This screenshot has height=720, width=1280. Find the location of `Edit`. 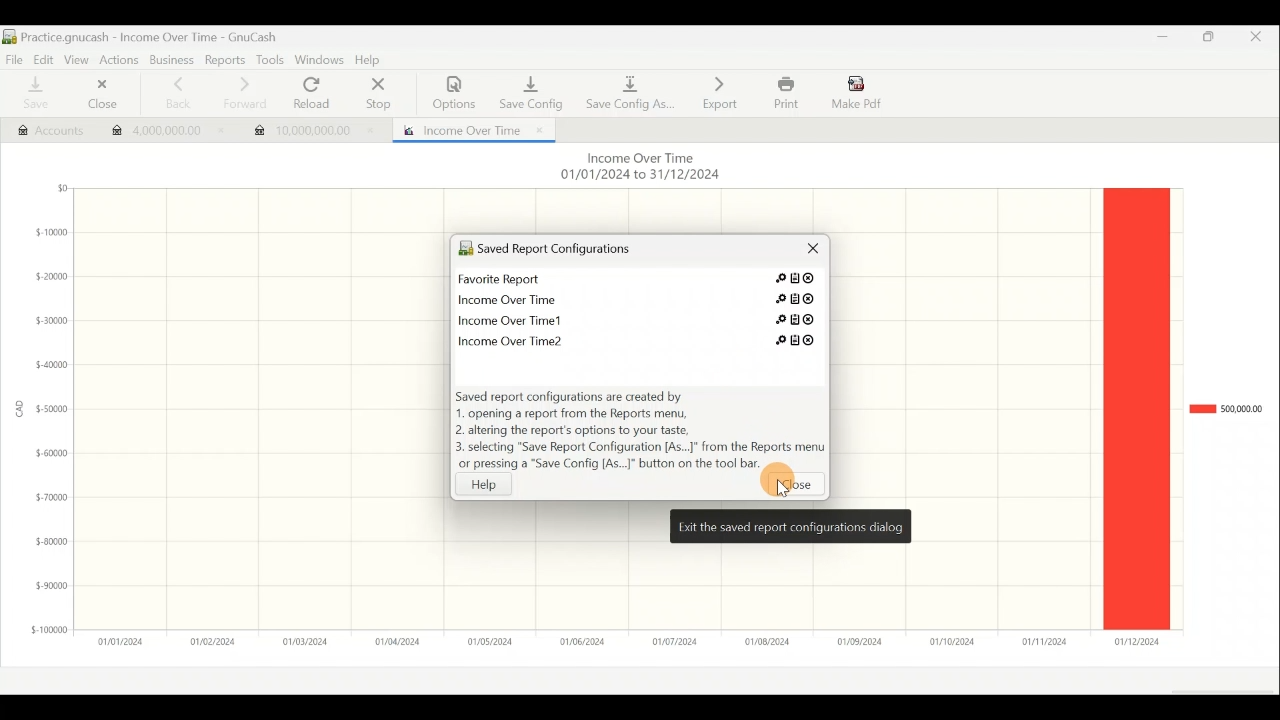

Edit is located at coordinates (40, 58).